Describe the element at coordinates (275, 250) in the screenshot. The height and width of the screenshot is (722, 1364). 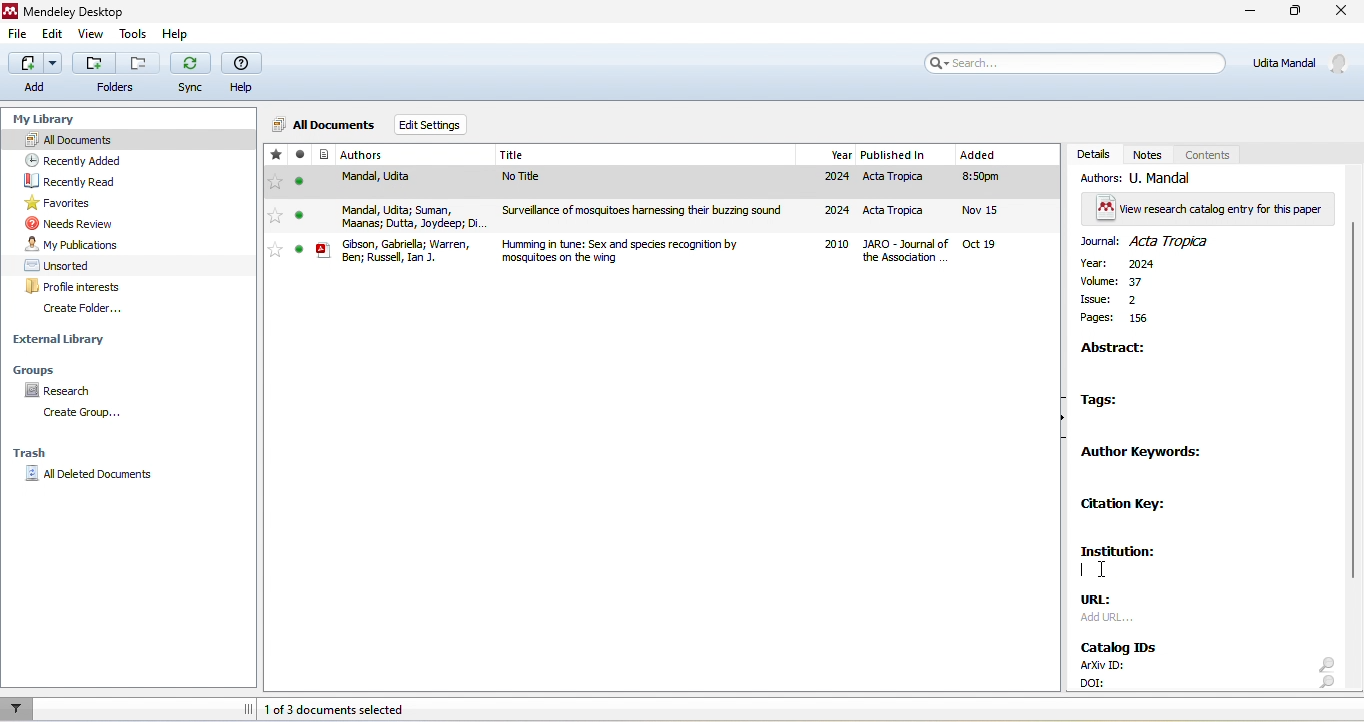
I see `favorites toggle` at that location.